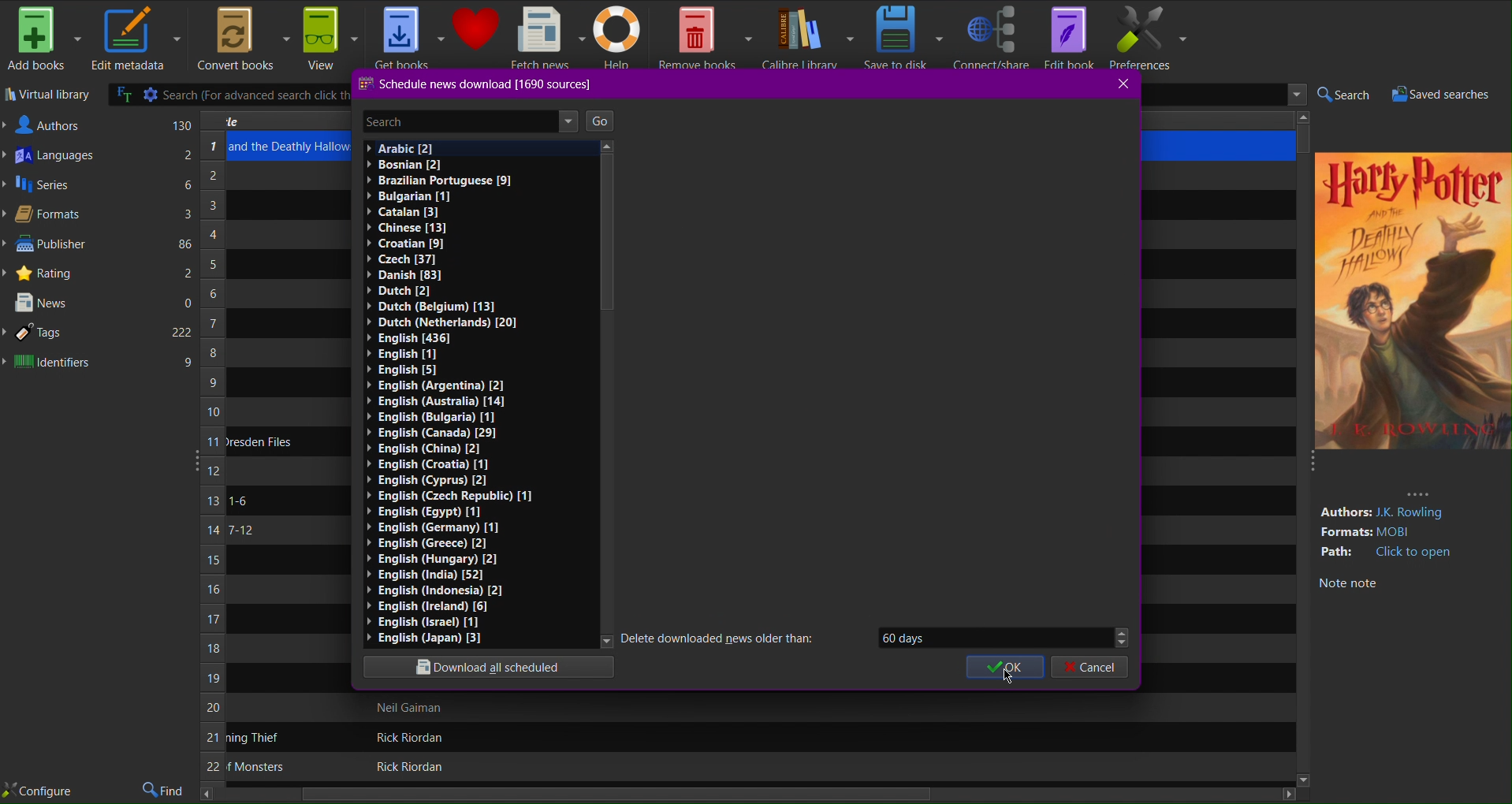 The height and width of the screenshot is (804, 1512). I want to click on Scrollbar, so click(1304, 130).